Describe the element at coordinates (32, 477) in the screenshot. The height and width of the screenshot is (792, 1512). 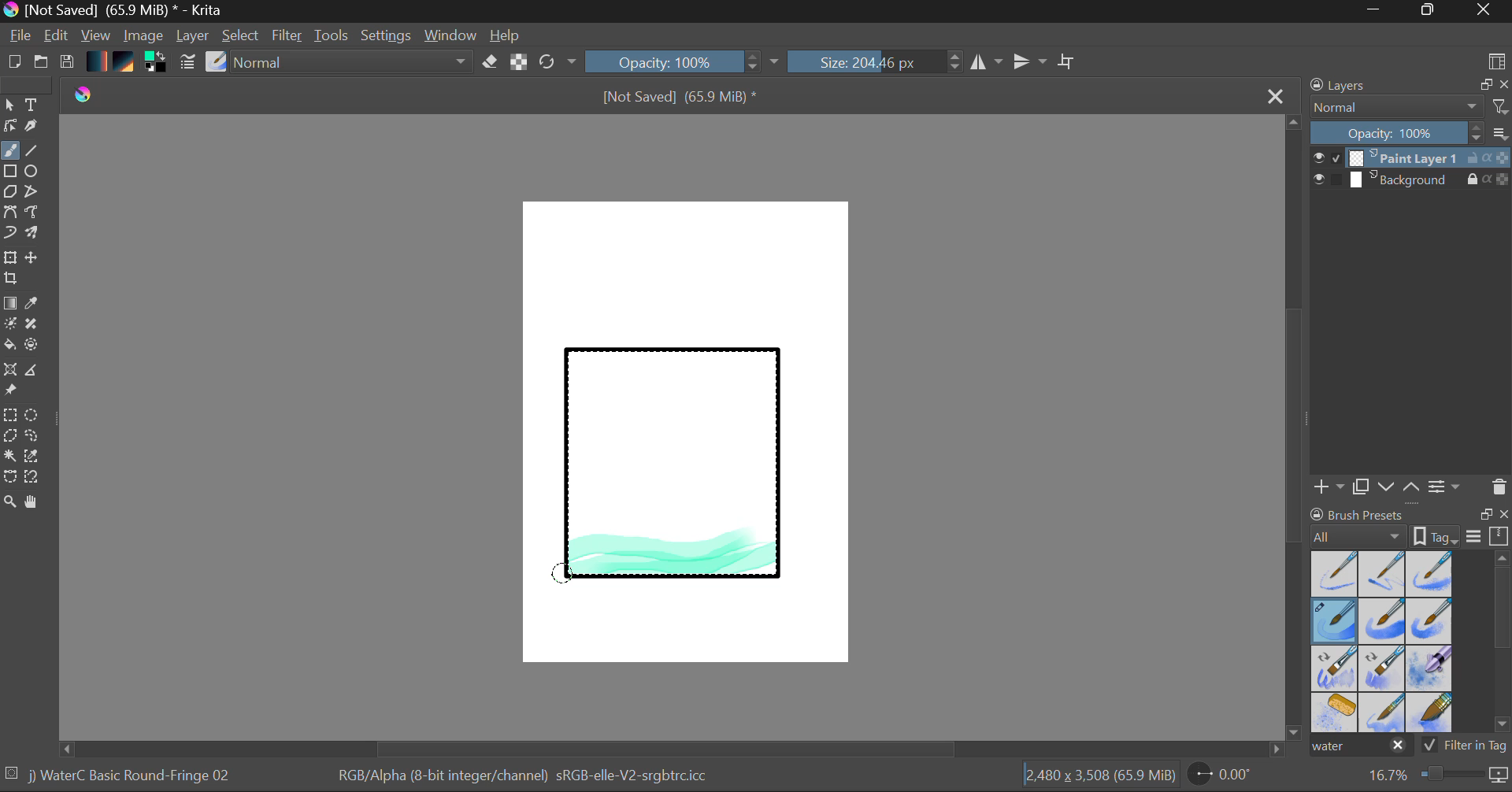
I see `Magnetic Selection Tool` at that location.